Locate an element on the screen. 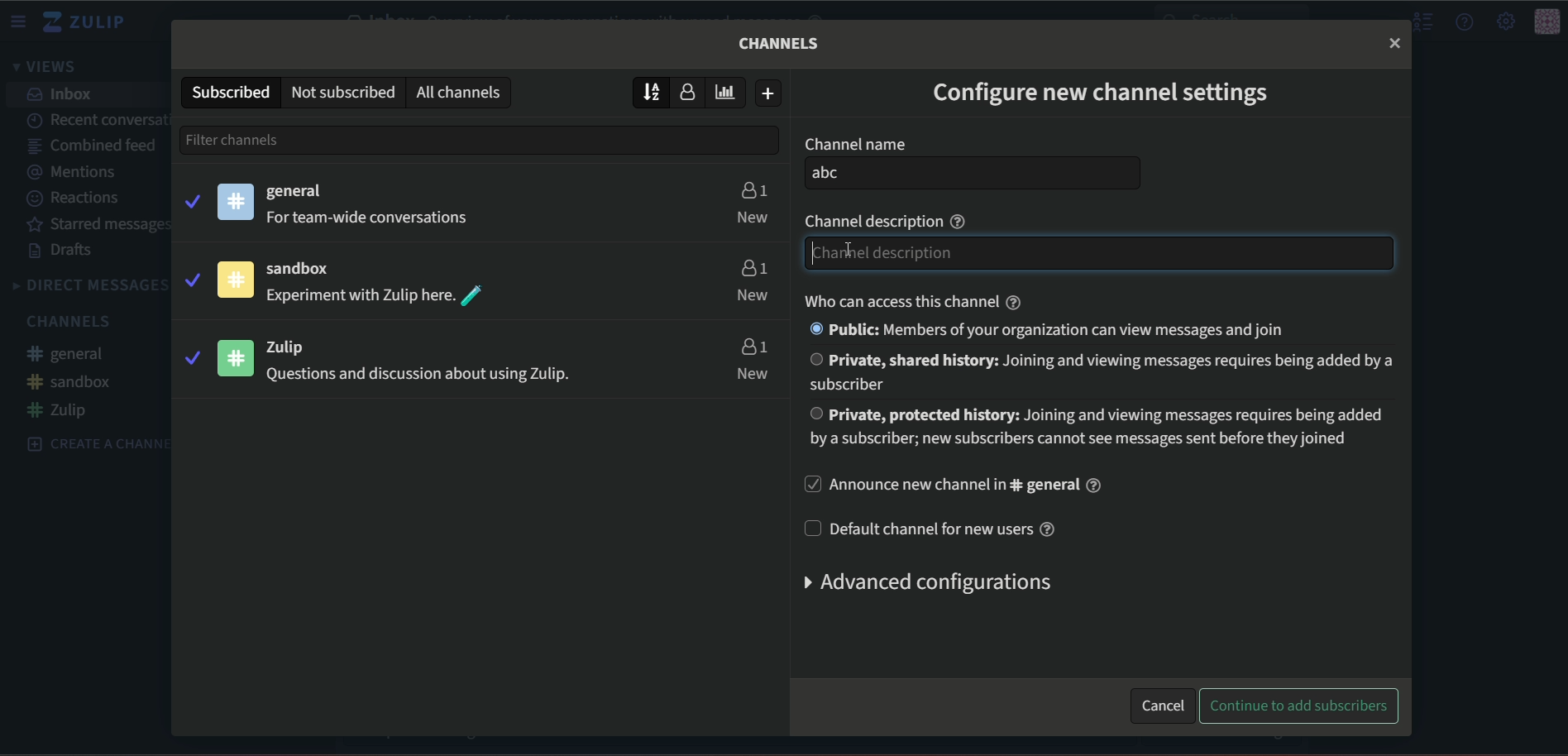 The image size is (1568, 756). subscribed is located at coordinates (229, 91).